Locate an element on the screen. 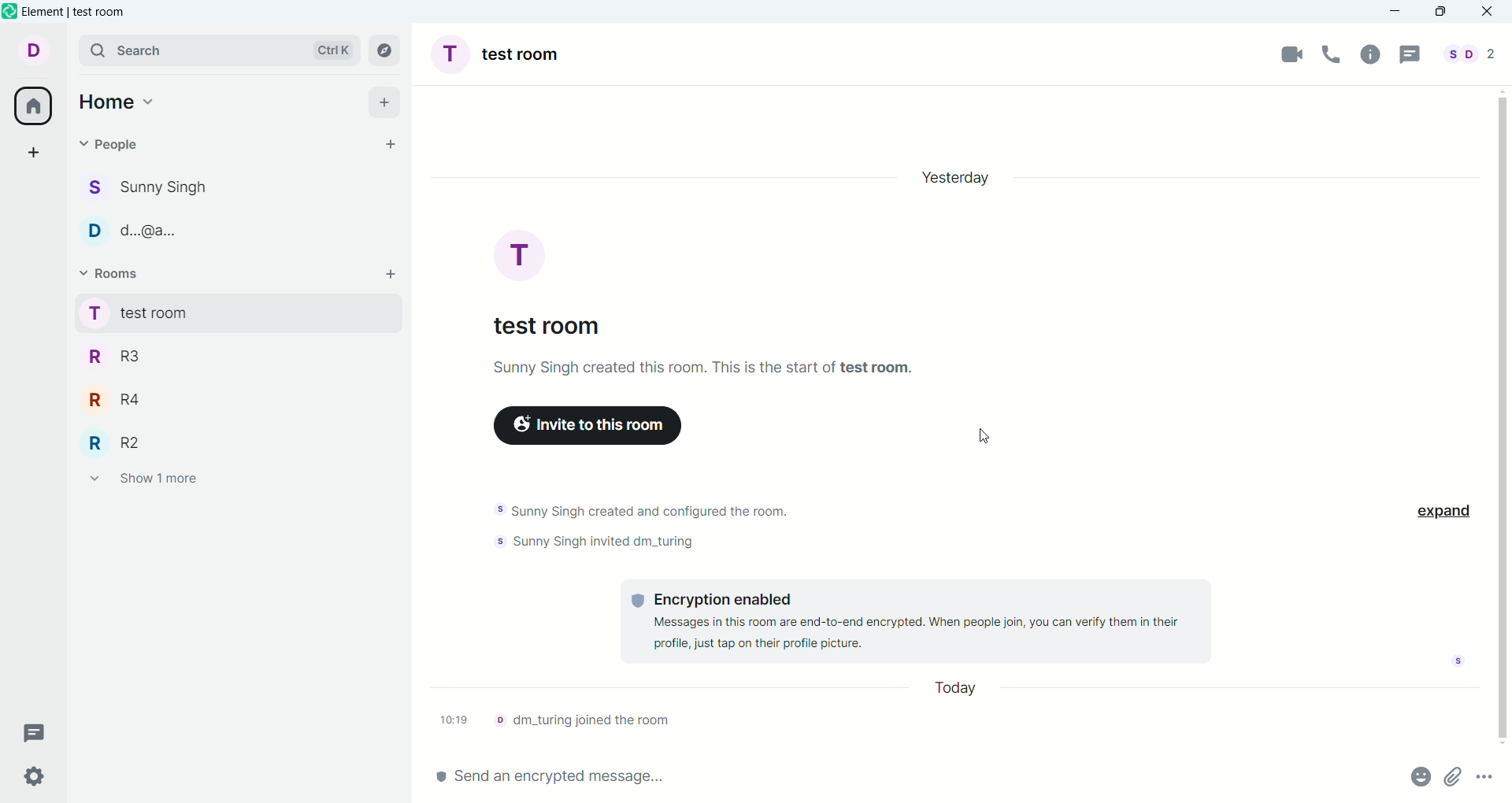  scroll down is located at coordinates (1503, 743).